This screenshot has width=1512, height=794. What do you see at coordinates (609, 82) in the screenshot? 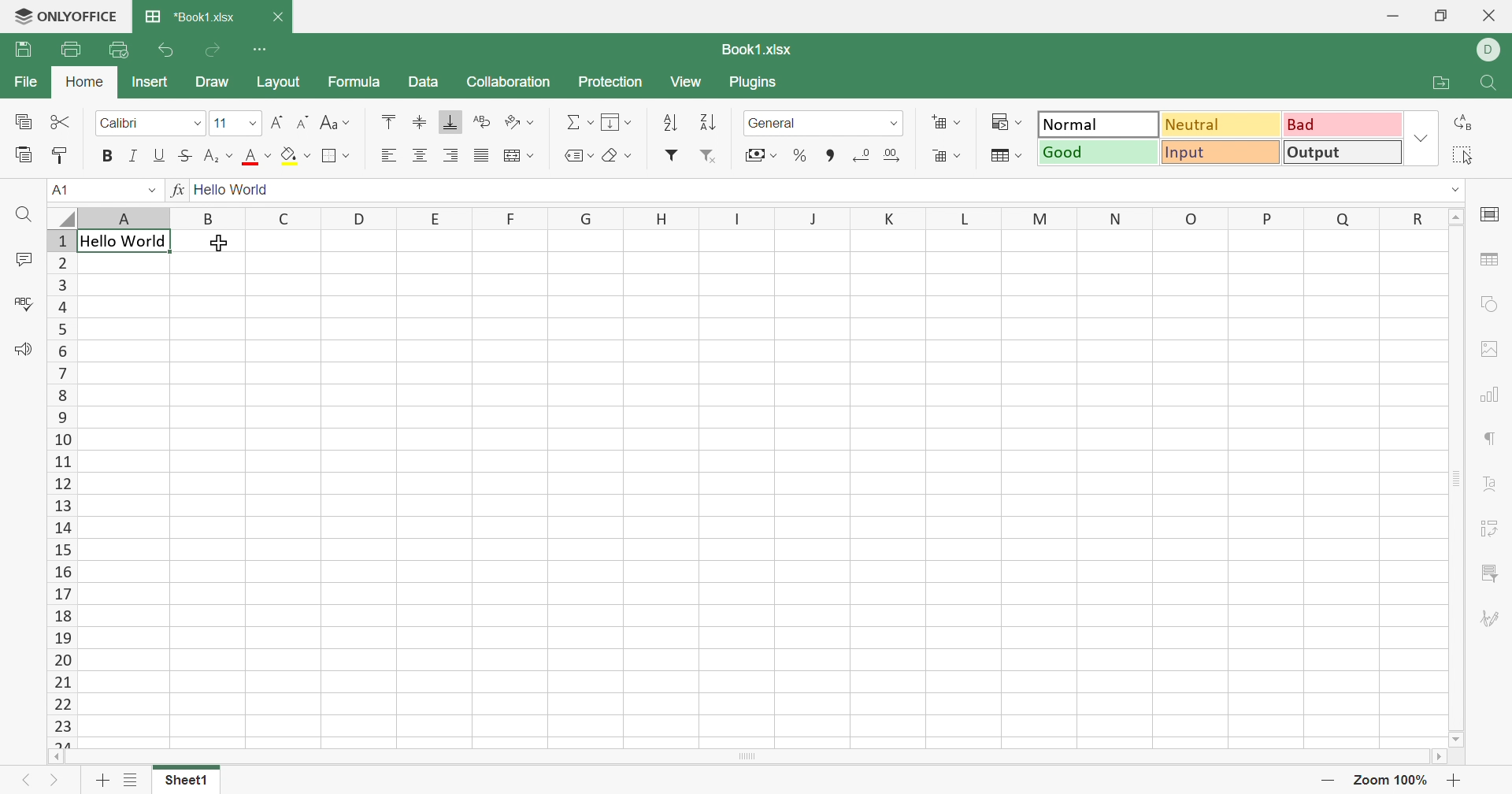
I see `Protection` at bounding box center [609, 82].